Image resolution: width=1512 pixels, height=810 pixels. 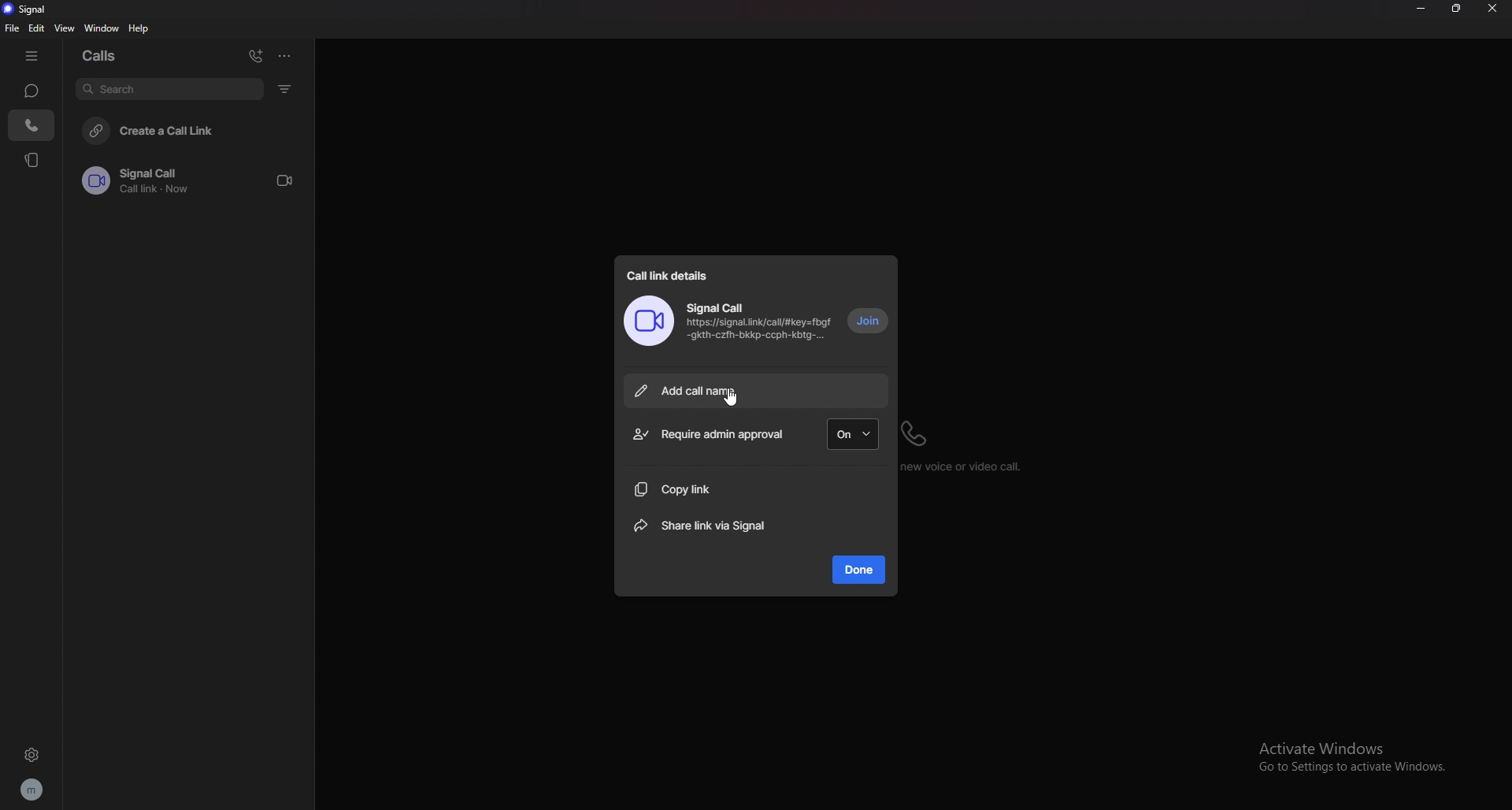 What do you see at coordinates (869, 321) in the screenshot?
I see `join call` at bounding box center [869, 321].